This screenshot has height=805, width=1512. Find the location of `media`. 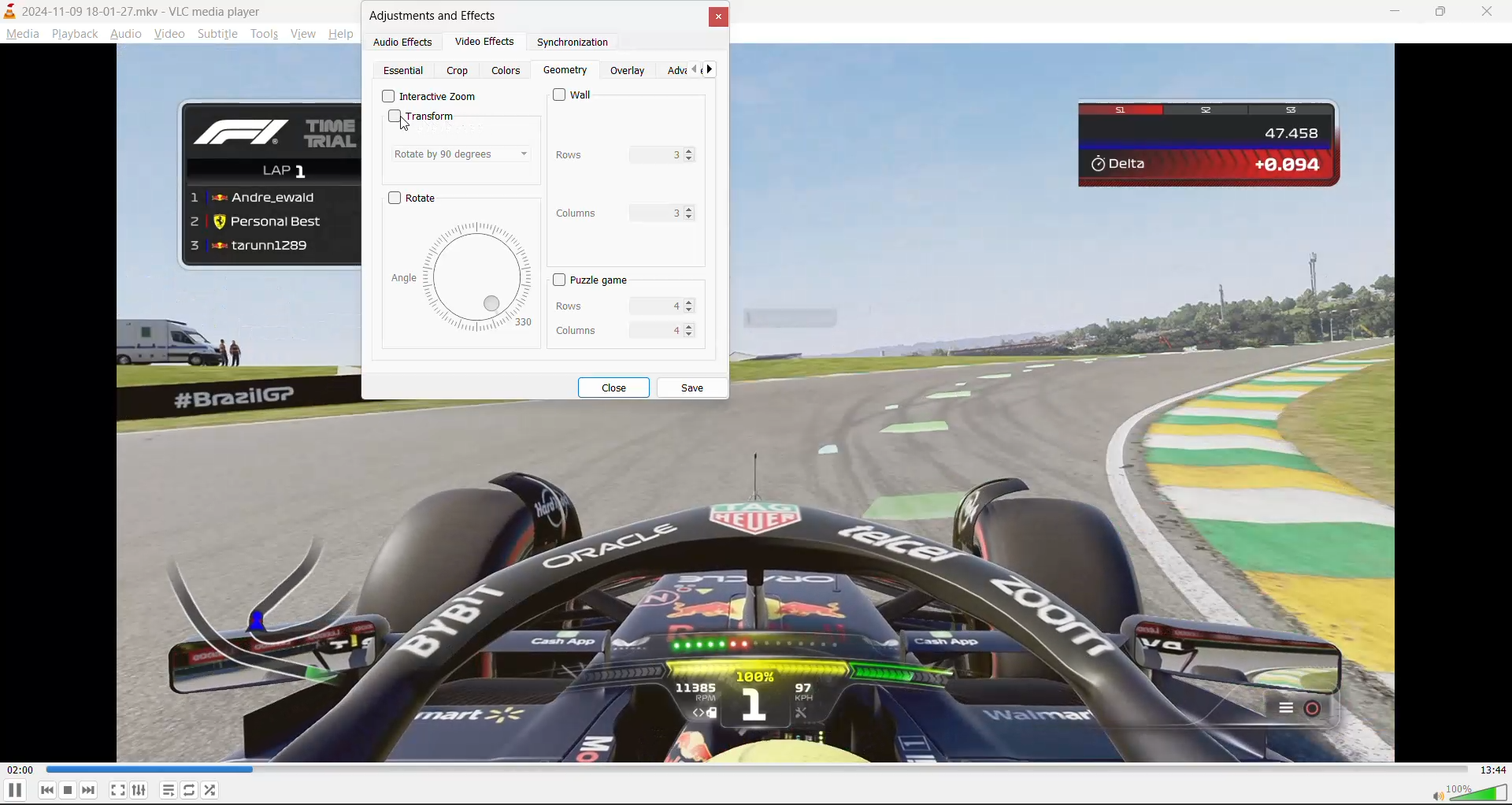

media is located at coordinates (24, 35).